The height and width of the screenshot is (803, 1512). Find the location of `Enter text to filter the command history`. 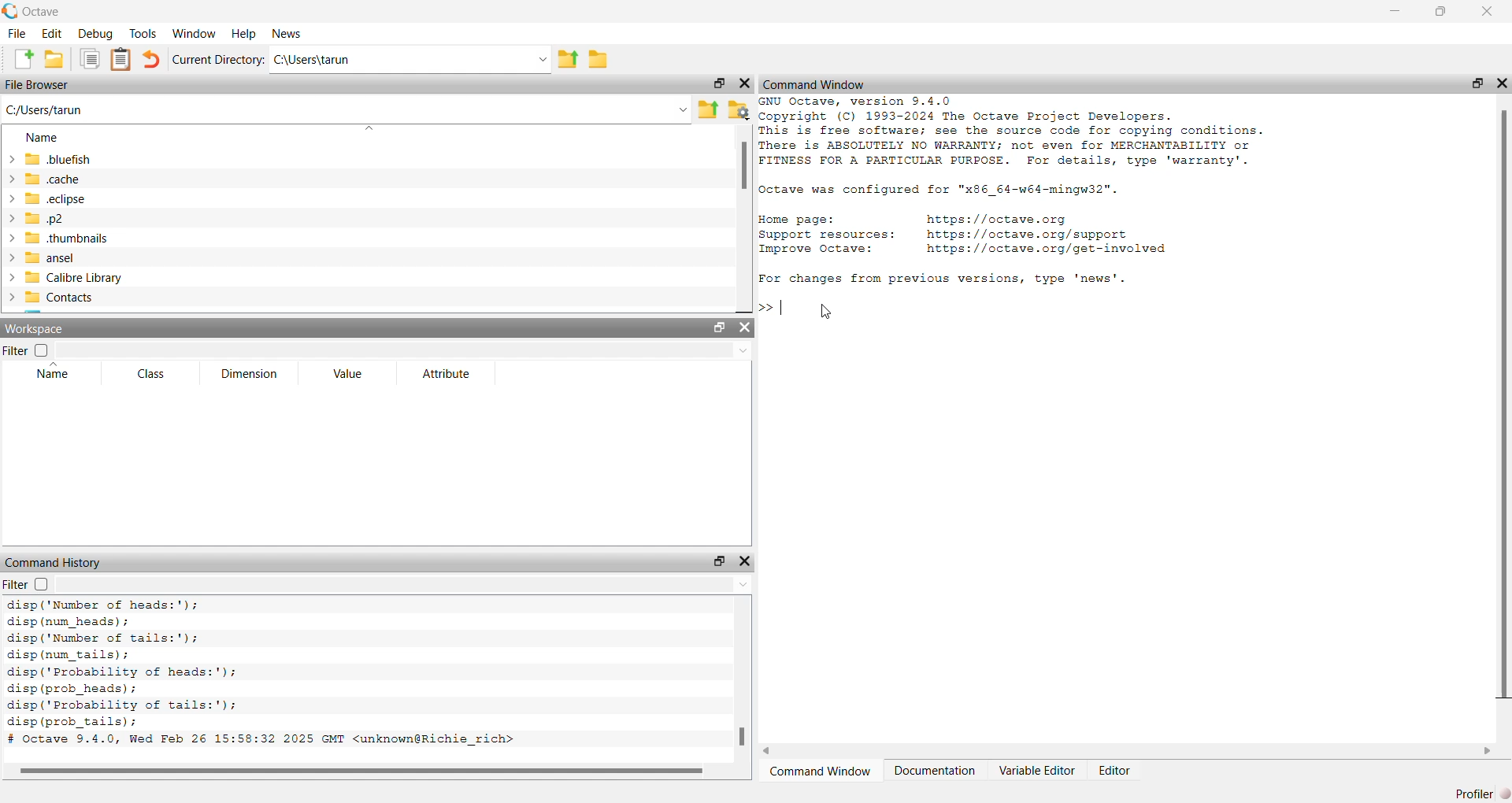

Enter text to filter the command history is located at coordinates (405, 583).